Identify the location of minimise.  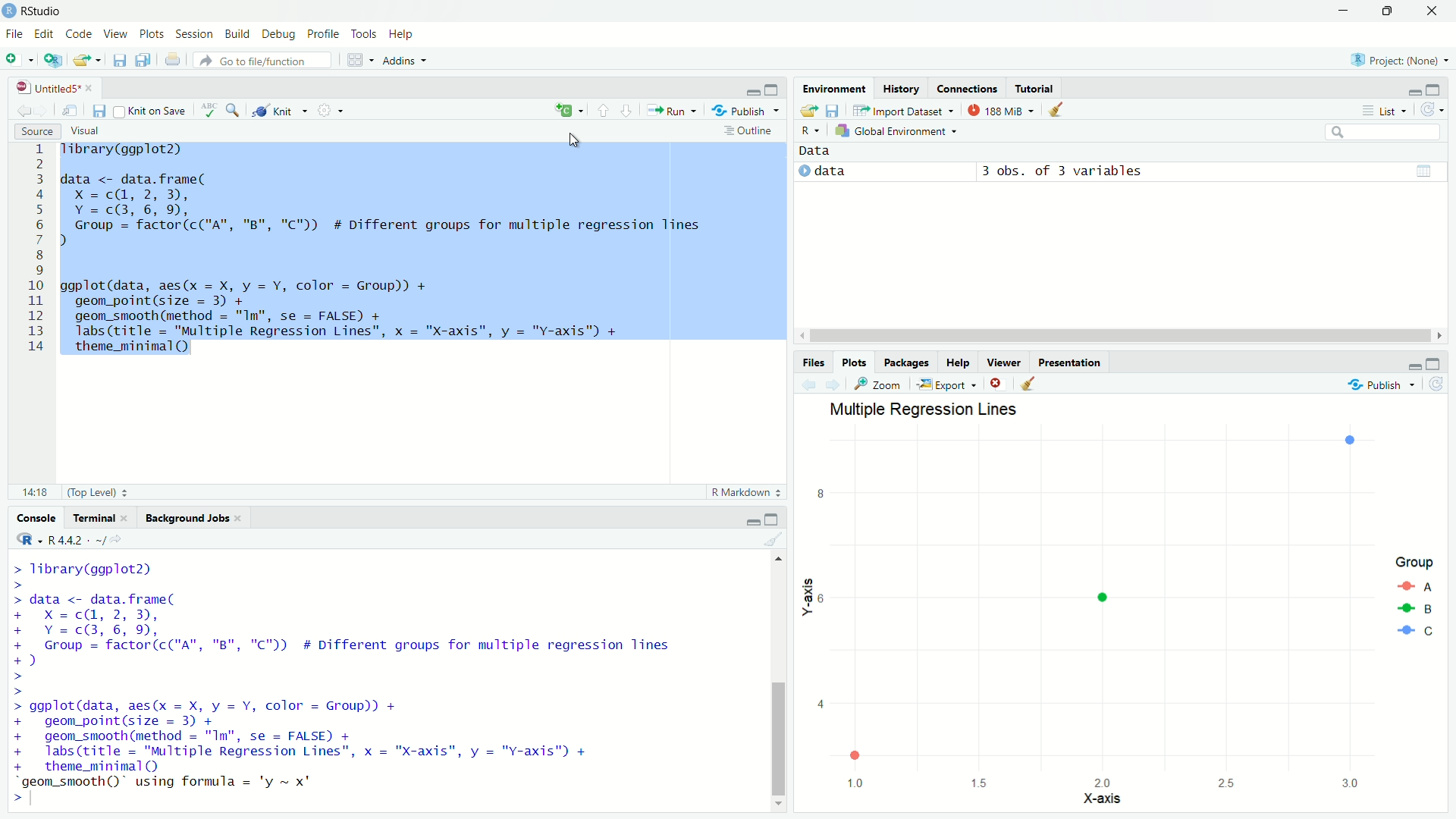
(749, 89).